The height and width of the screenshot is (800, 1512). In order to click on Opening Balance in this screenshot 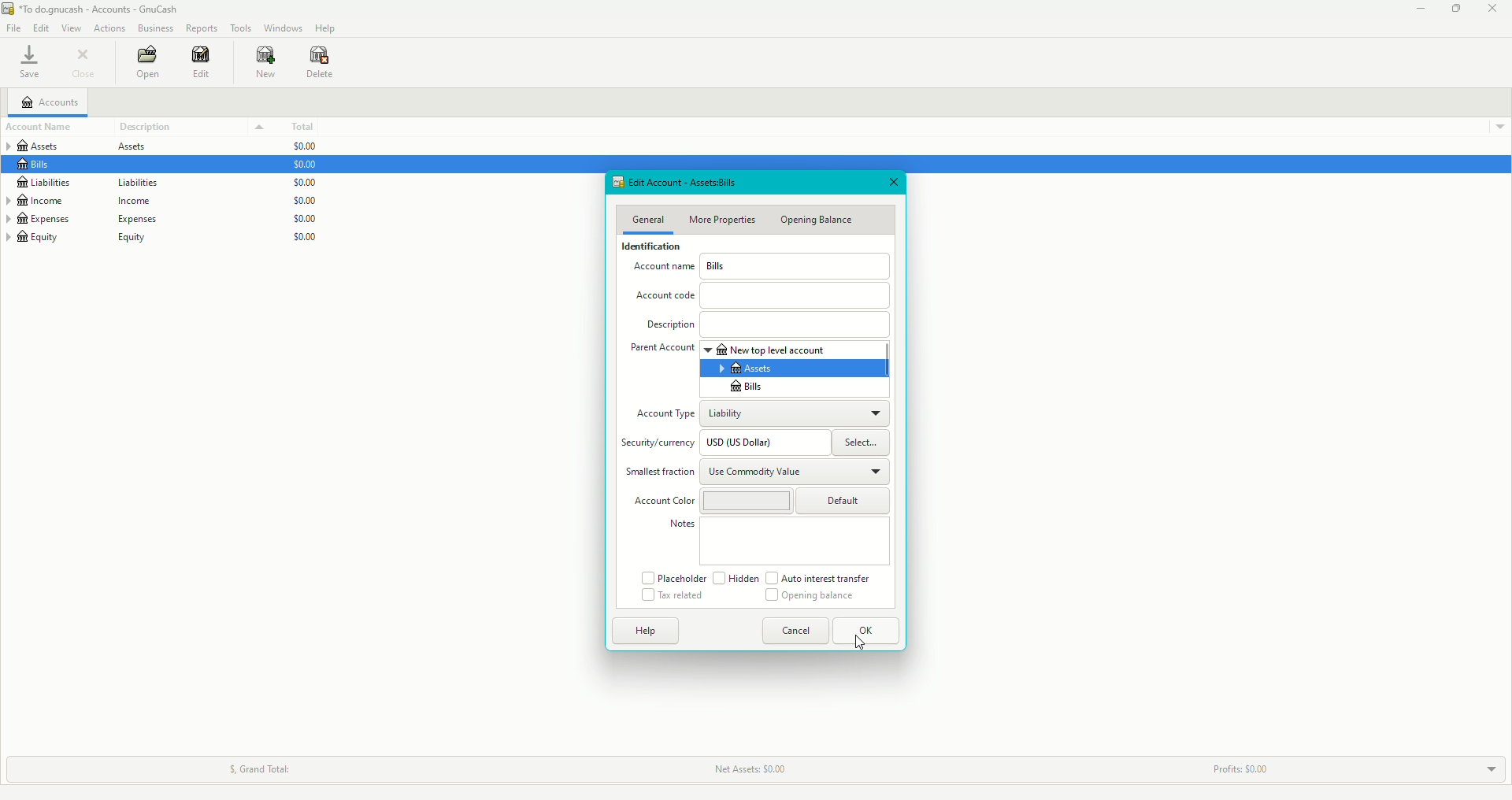, I will do `click(812, 598)`.